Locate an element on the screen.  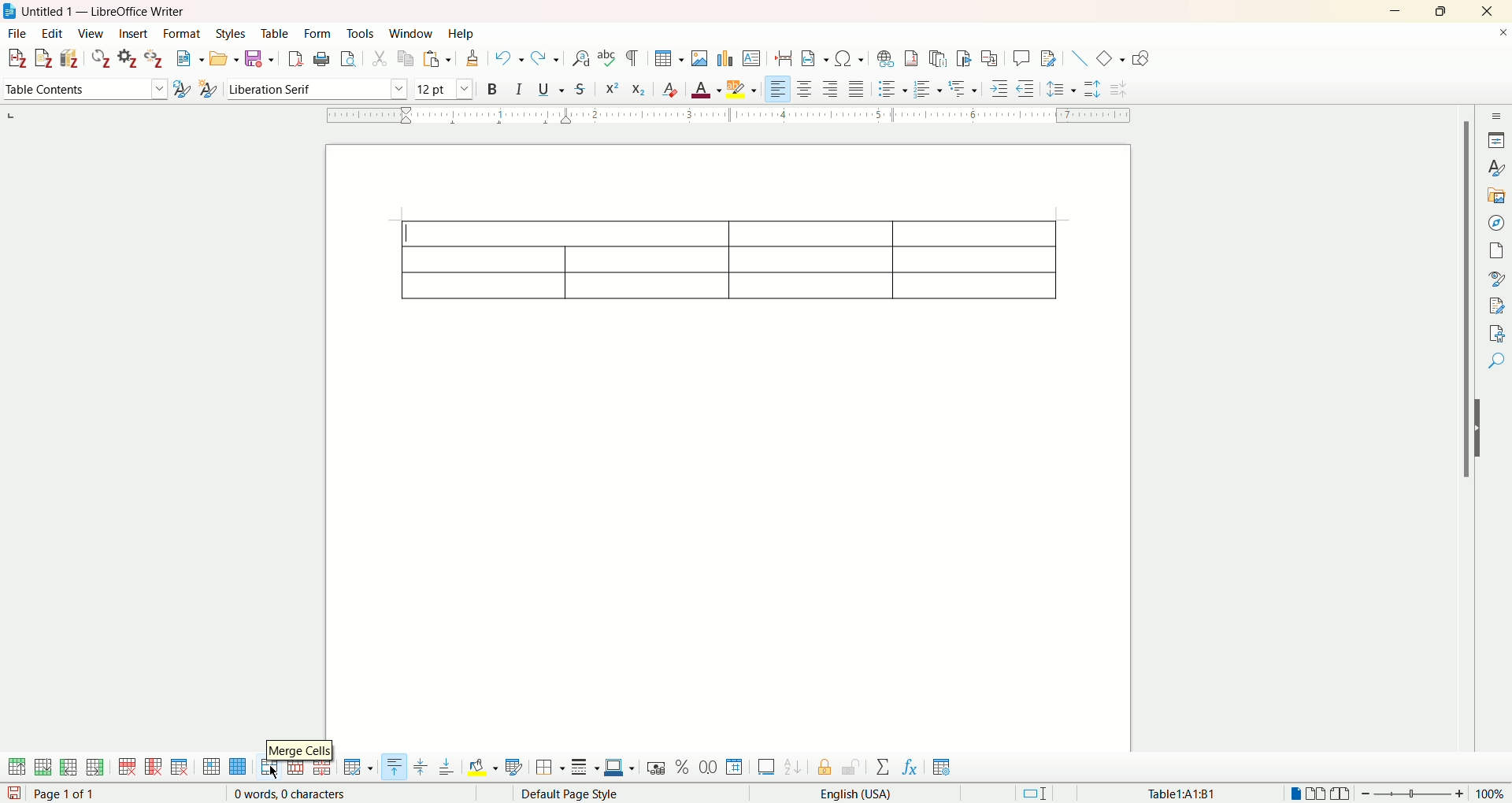
border color is located at coordinates (621, 768).